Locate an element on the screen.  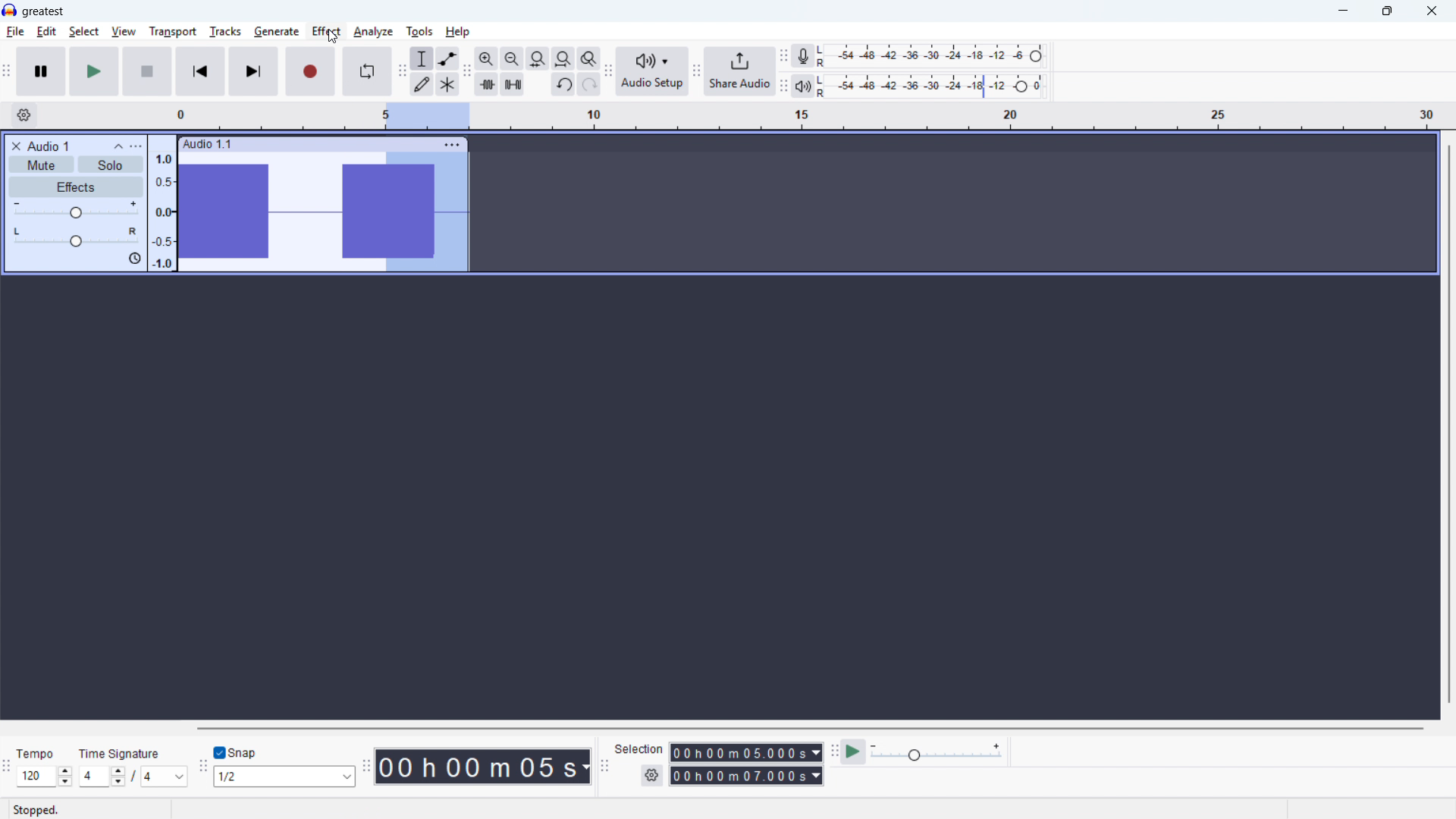
help is located at coordinates (458, 32).